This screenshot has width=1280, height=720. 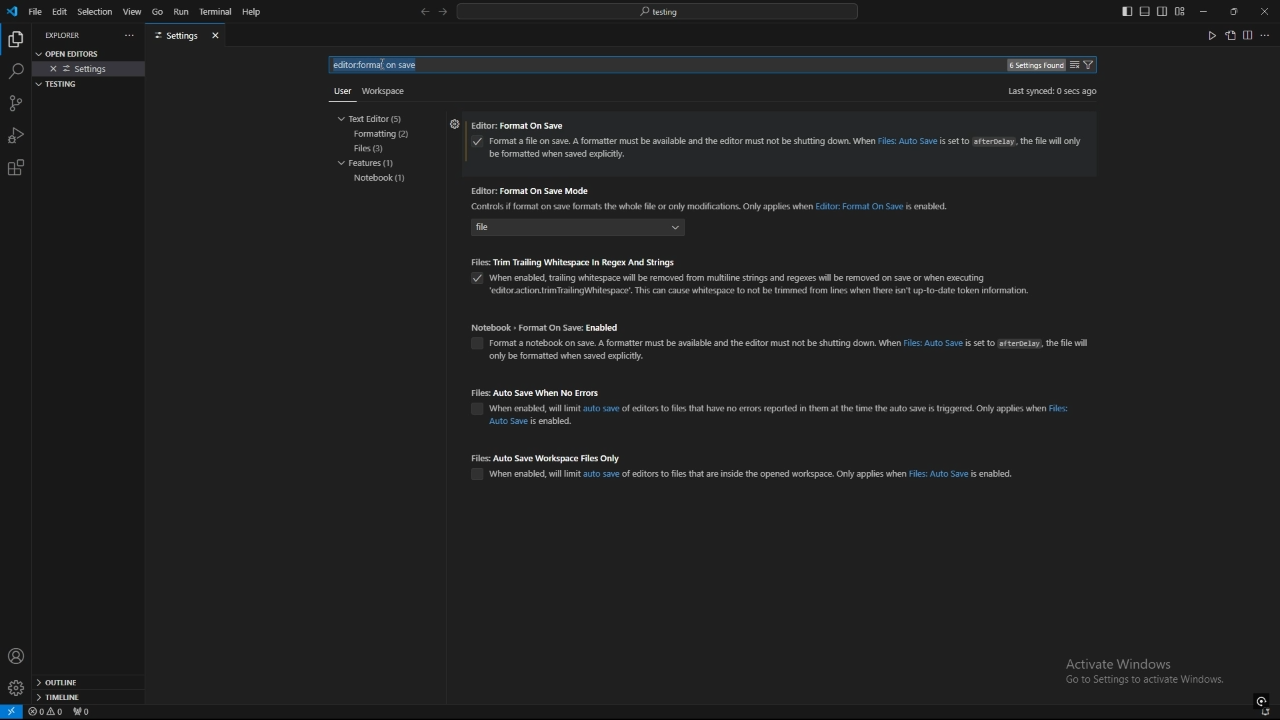 What do you see at coordinates (782, 327) in the screenshot?
I see `notebook format on save` at bounding box center [782, 327].